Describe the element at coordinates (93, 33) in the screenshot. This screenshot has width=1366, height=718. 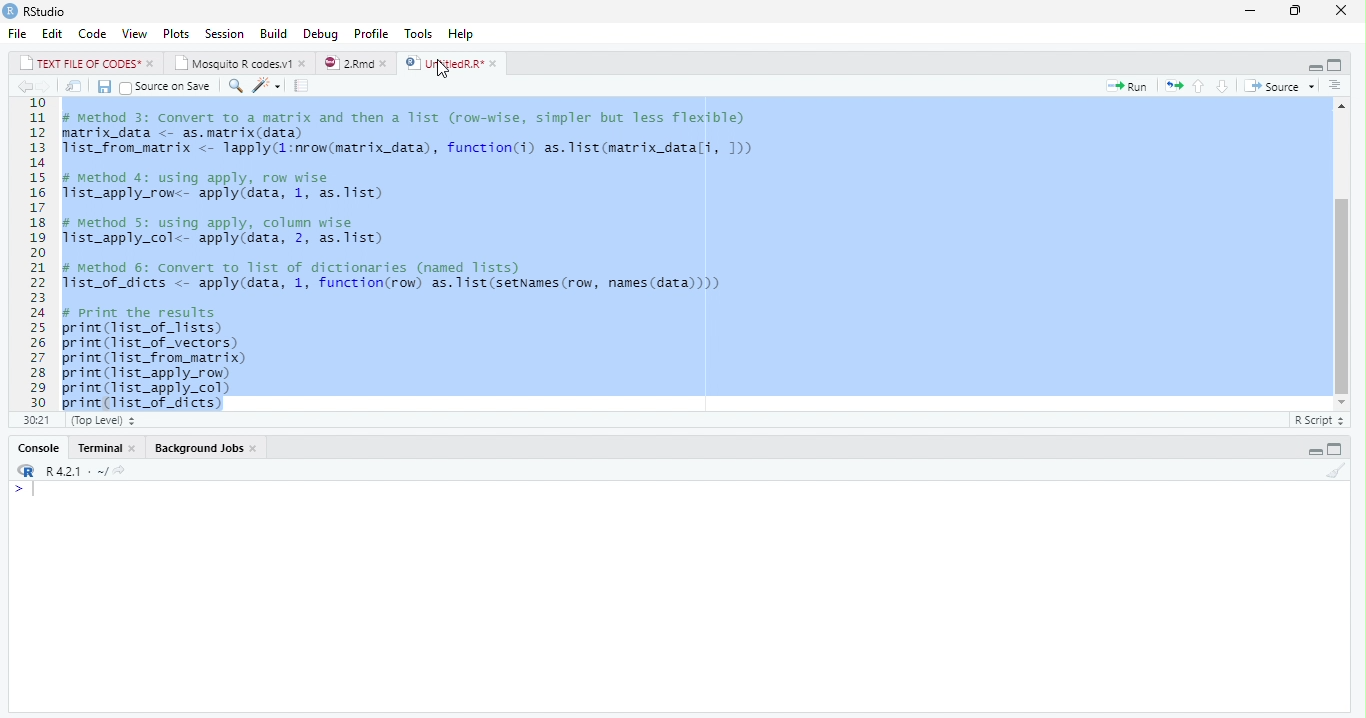
I see `Code` at that location.